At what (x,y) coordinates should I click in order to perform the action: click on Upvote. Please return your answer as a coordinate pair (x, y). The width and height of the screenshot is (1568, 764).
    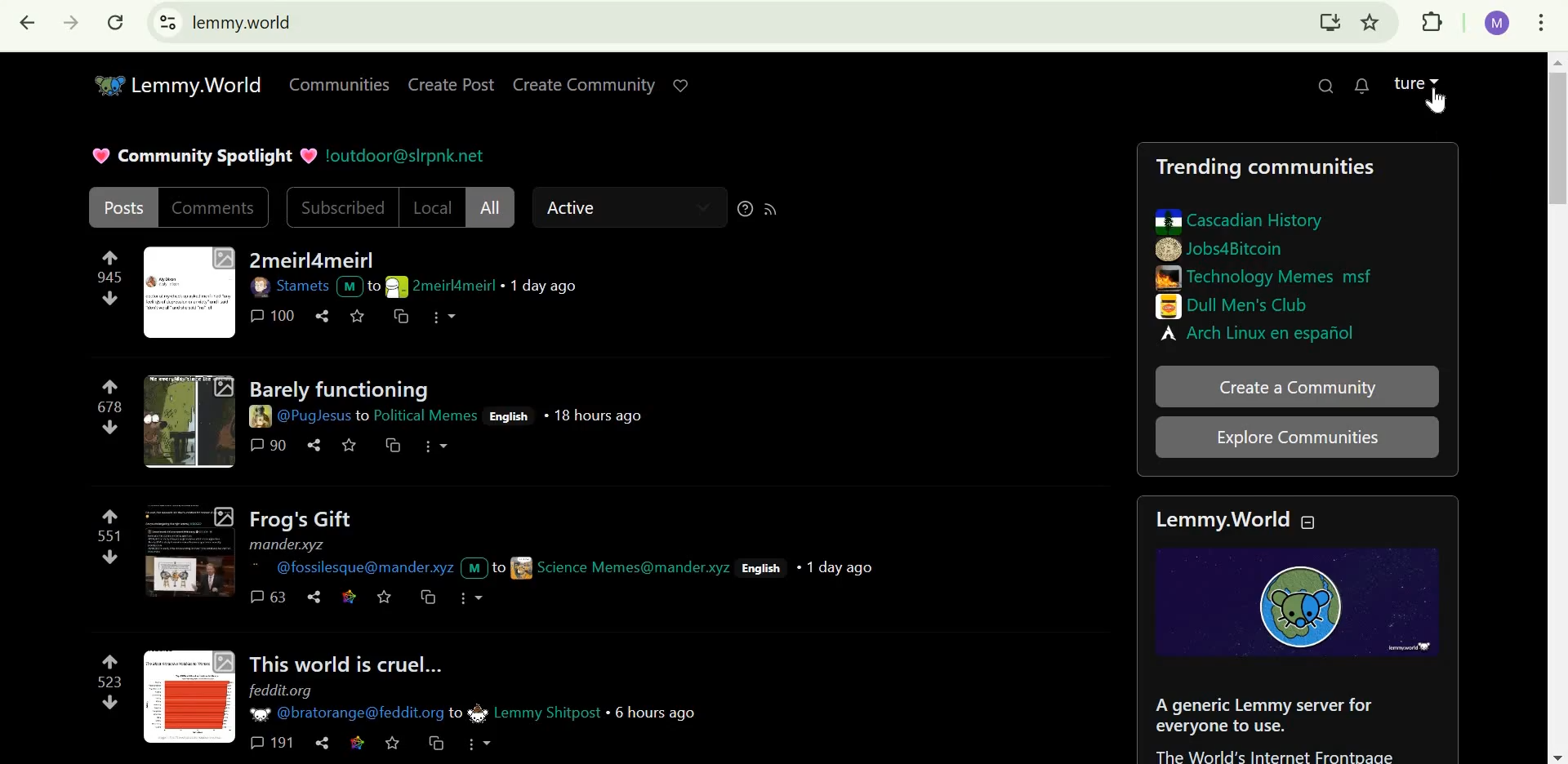
    Looking at the image, I should click on (109, 255).